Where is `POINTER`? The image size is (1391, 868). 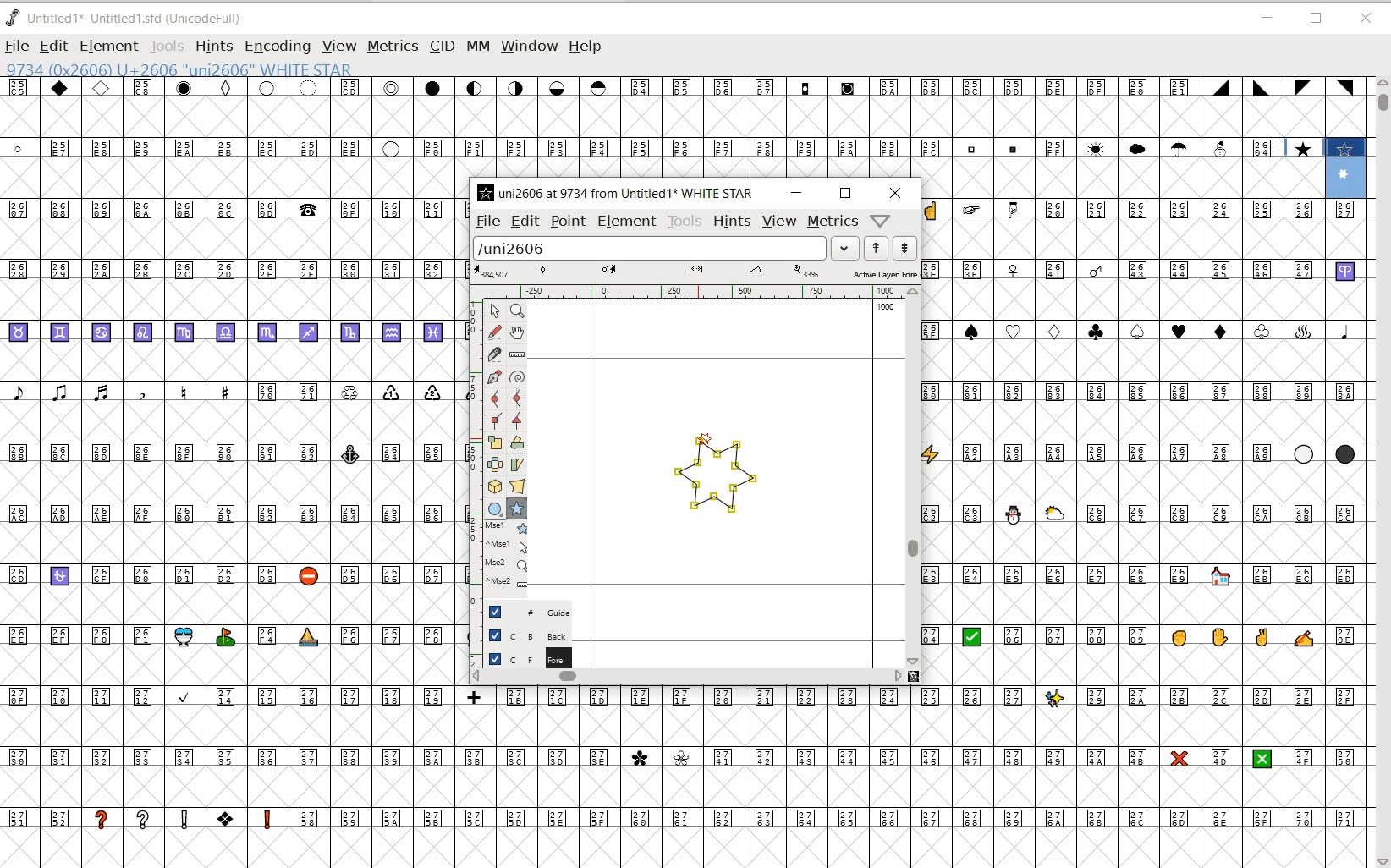 POINTER is located at coordinates (493, 310).